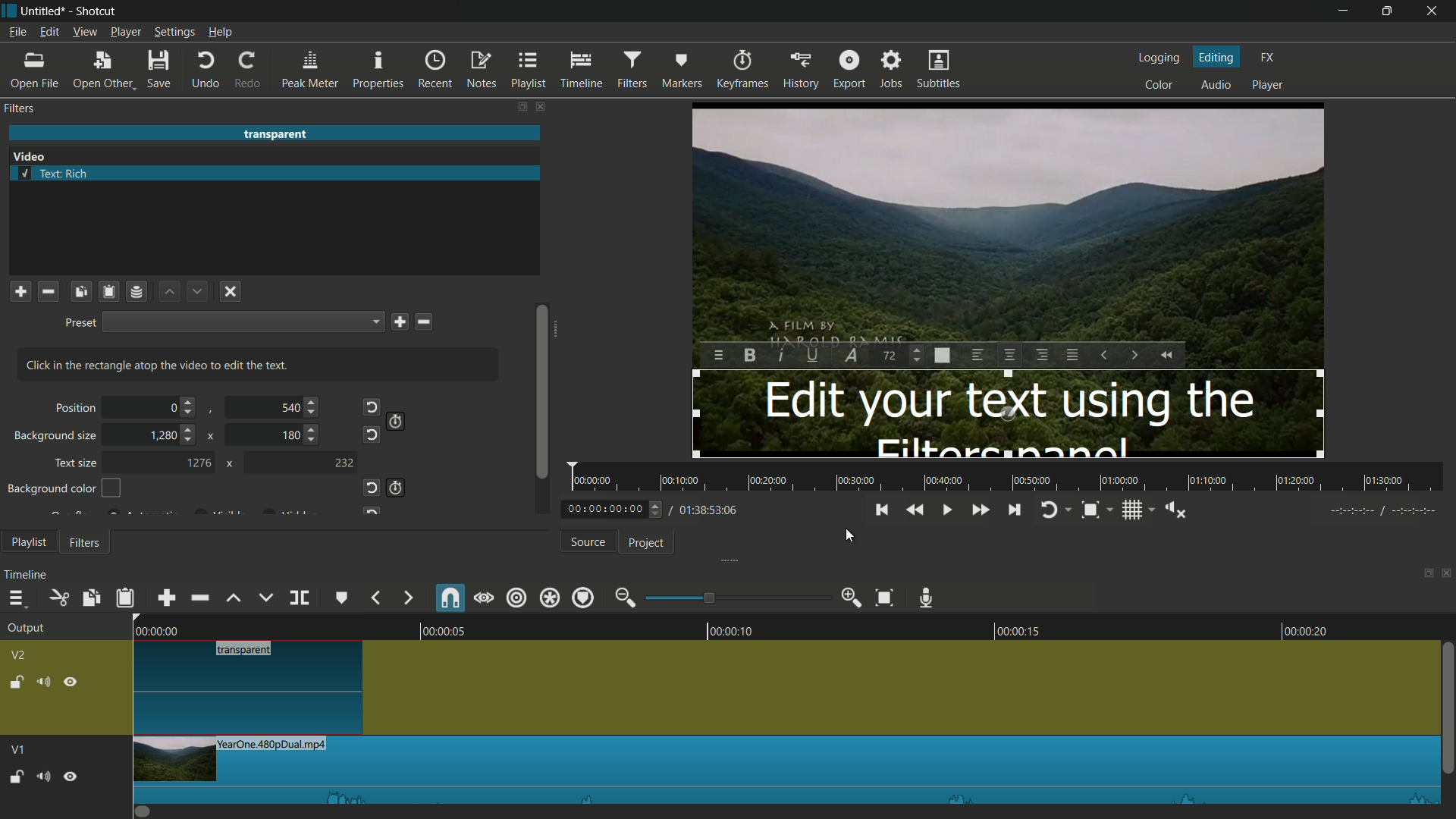 The width and height of the screenshot is (1456, 819). I want to click on playlist, so click(28, 541).